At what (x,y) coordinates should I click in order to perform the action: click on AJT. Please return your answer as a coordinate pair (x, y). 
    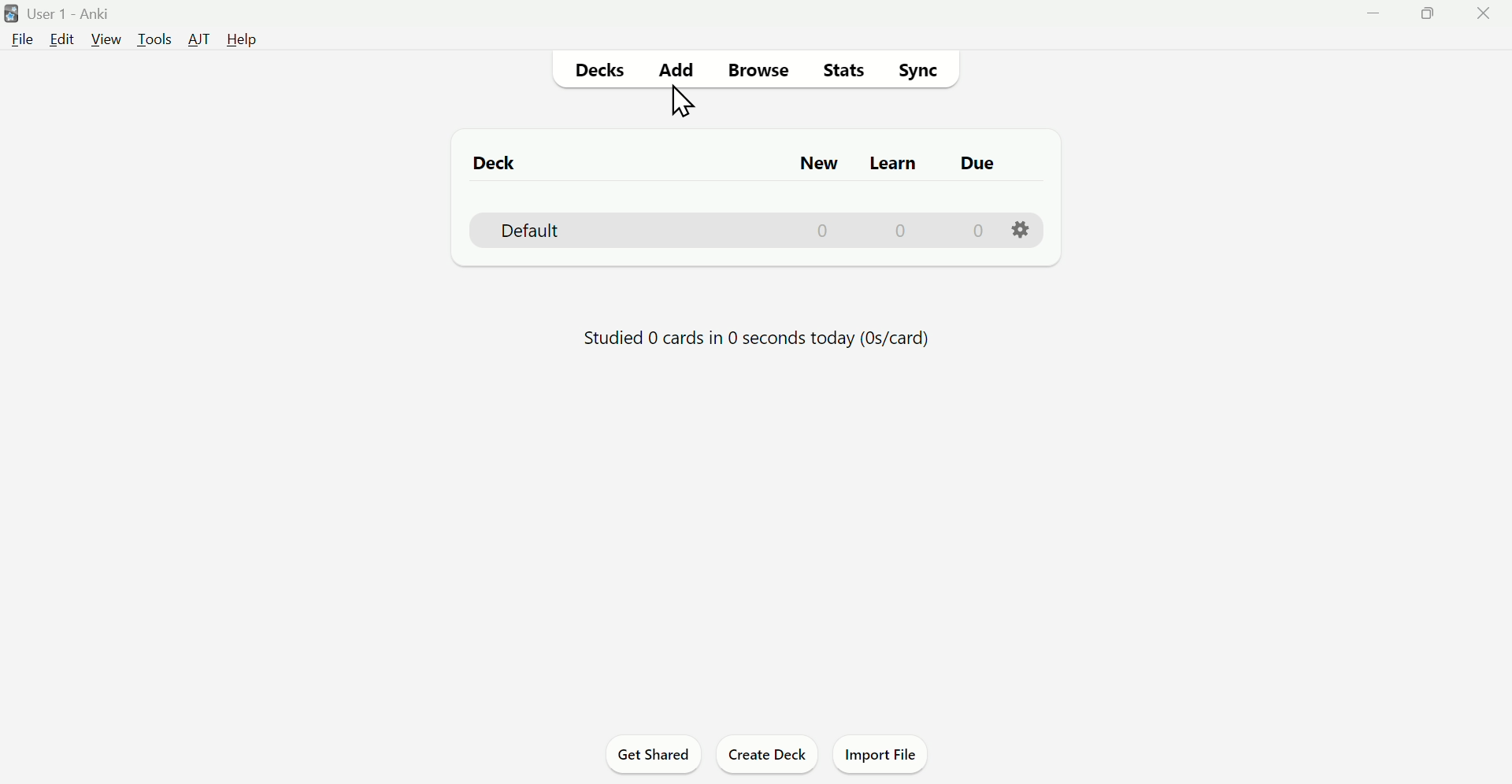
    Looking at the image, I should click on (200, 39).